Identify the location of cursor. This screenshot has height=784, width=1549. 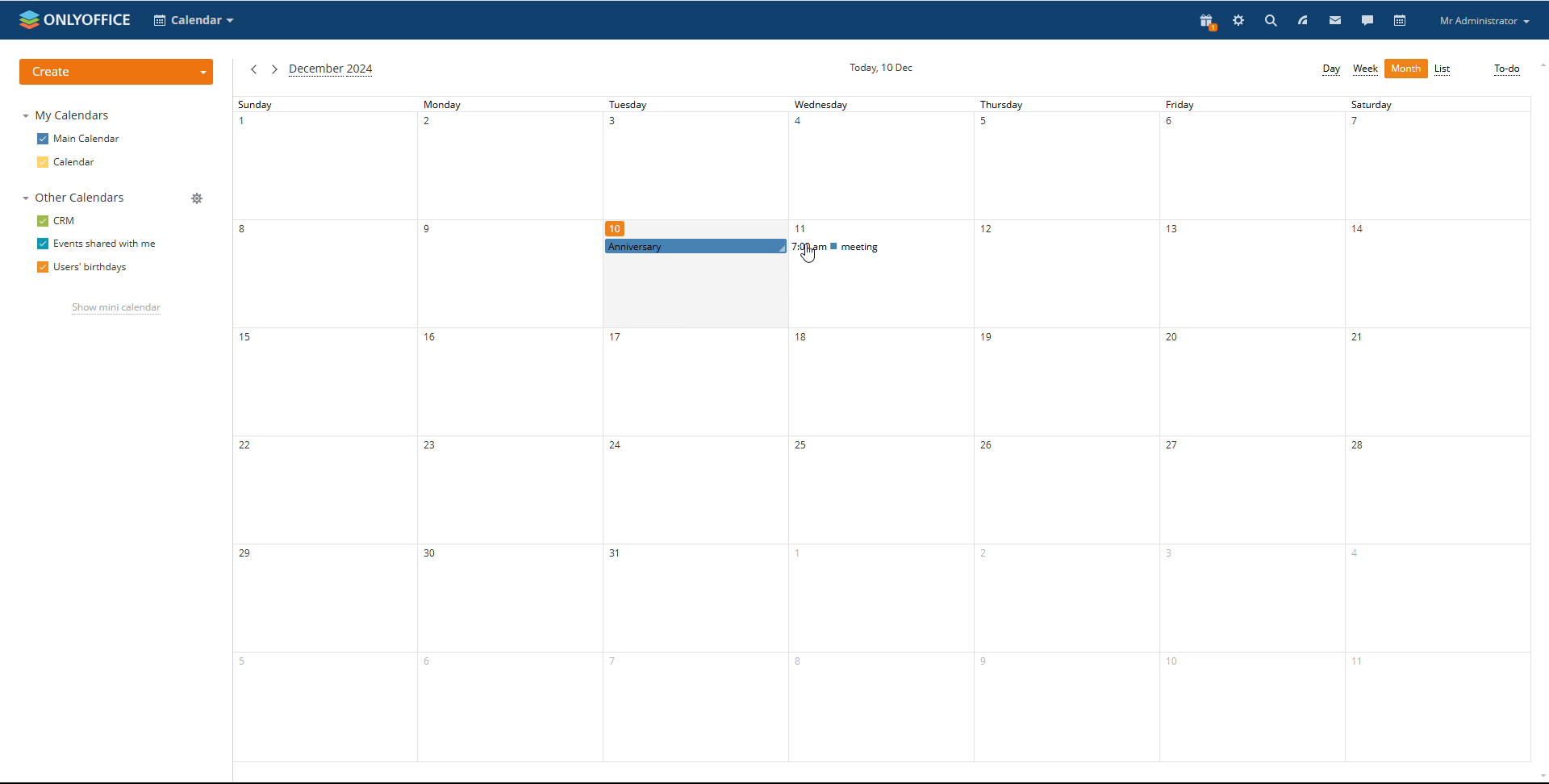
(808, 254).